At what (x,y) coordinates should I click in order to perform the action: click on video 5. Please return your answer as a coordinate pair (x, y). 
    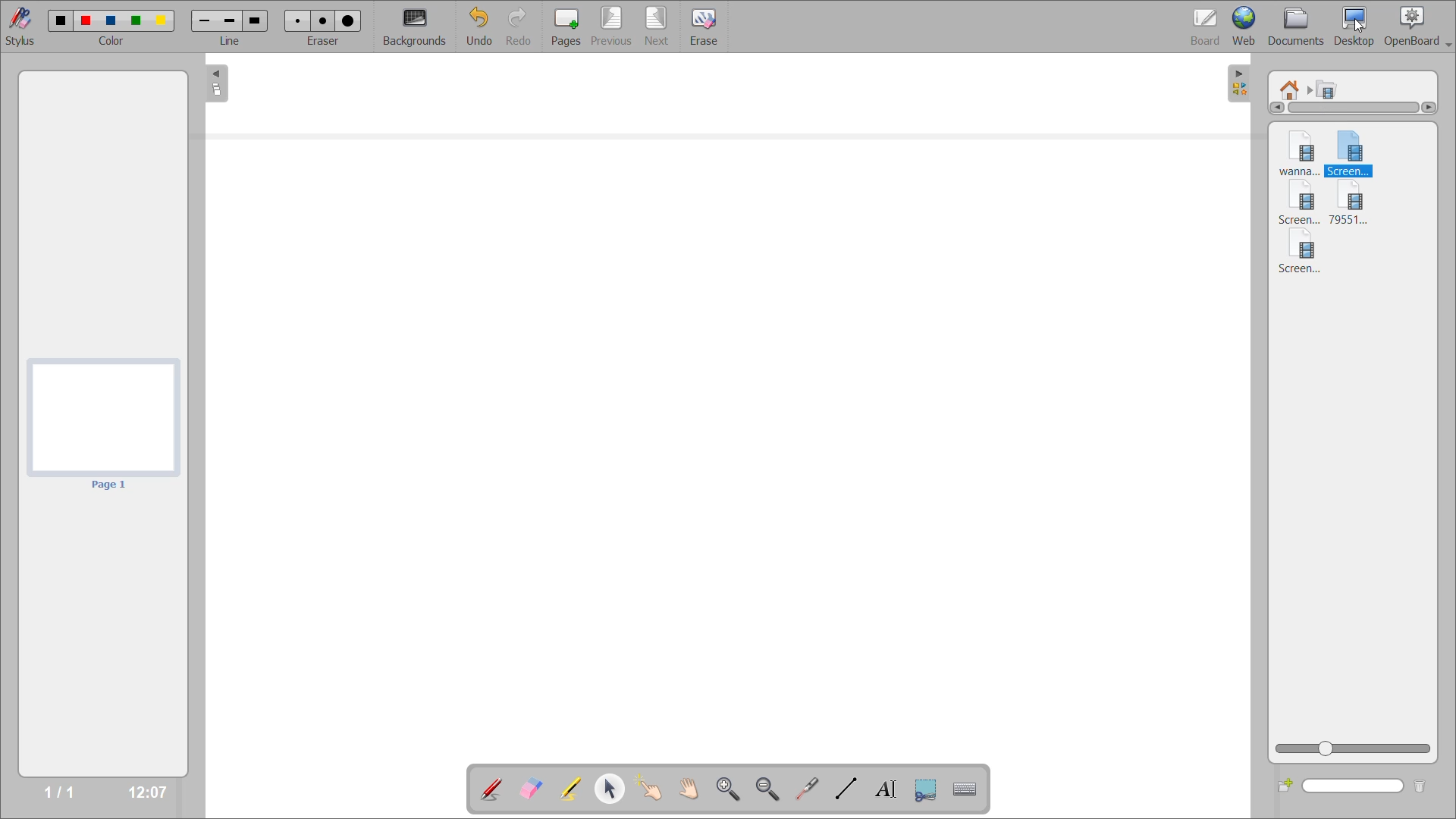
    Looking at the image, I should click on (1299, 255).